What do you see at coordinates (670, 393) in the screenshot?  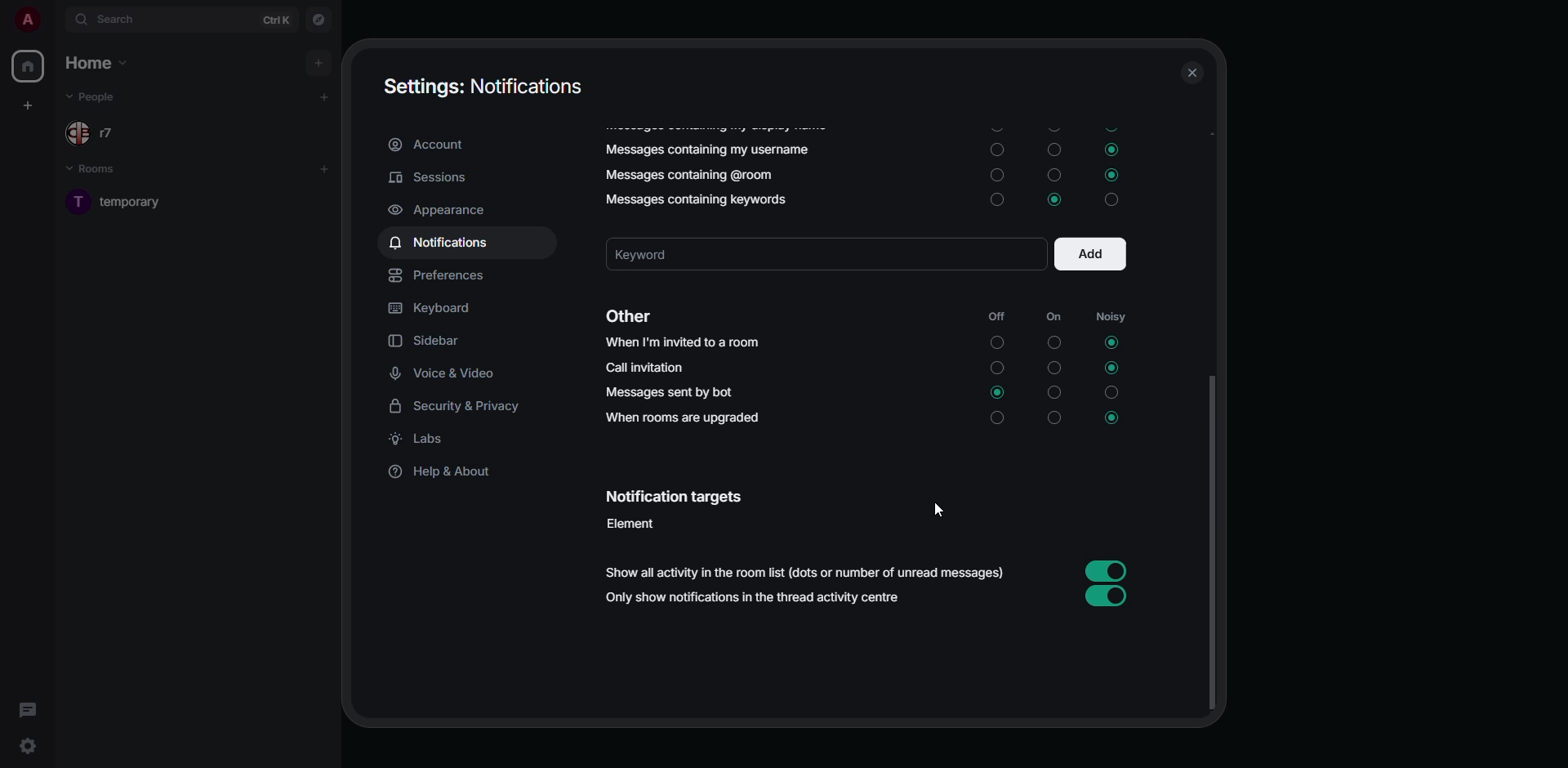 I see `messages sent by bot` at bounding box center [670, 393].